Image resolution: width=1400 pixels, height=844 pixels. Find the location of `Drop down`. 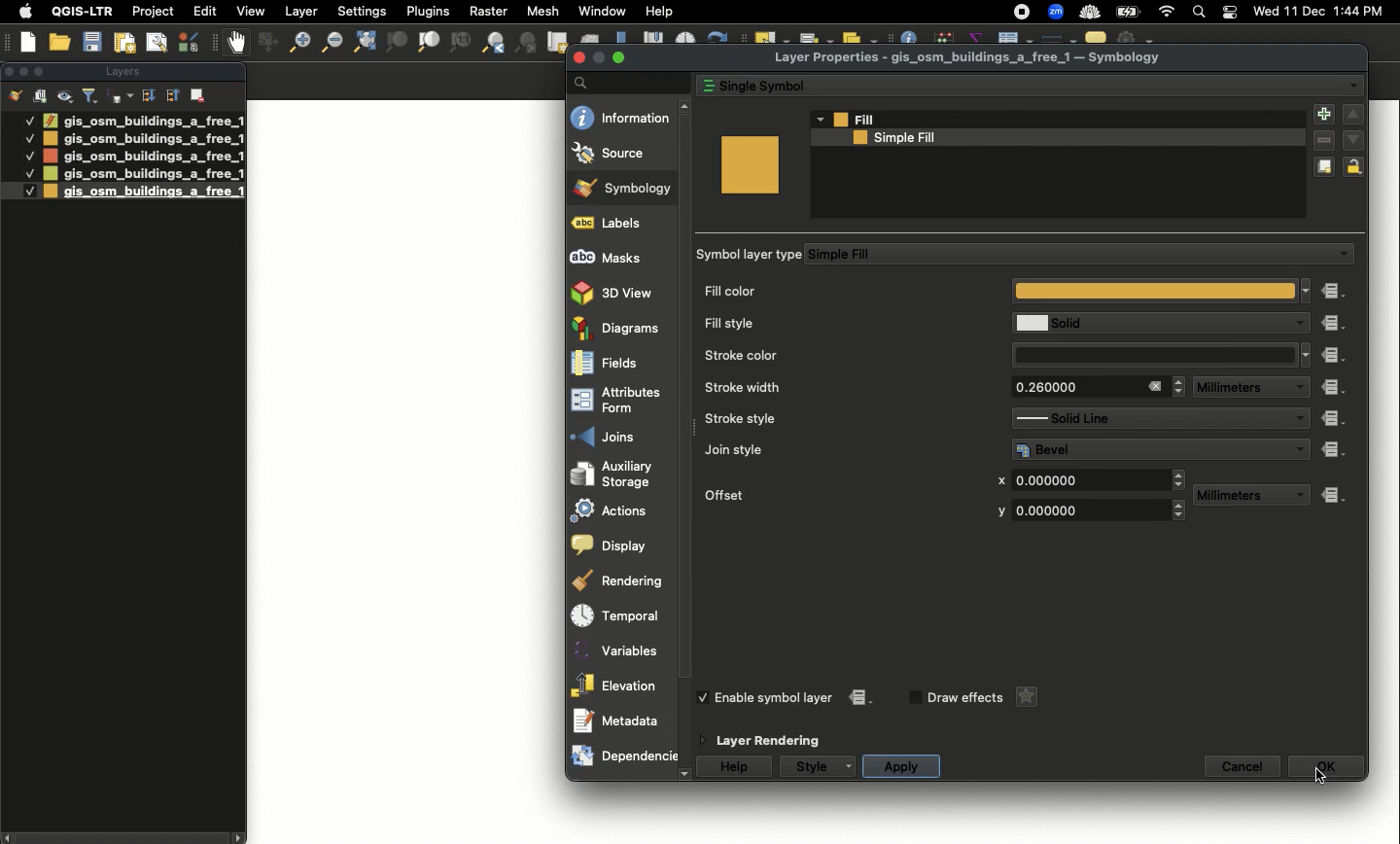

Drop down is located at coordinates (1343, 255).